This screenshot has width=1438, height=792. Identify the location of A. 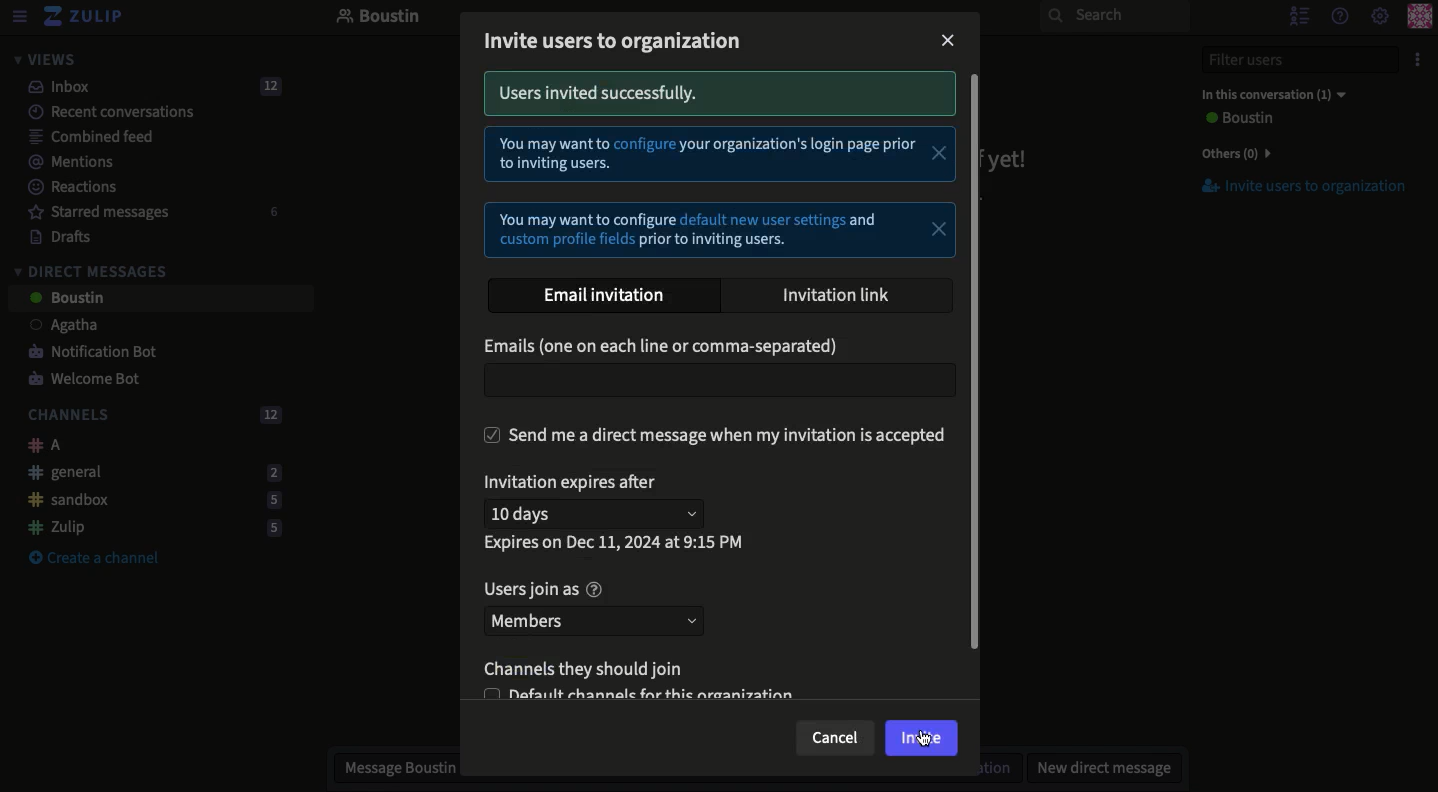
(39, 445).